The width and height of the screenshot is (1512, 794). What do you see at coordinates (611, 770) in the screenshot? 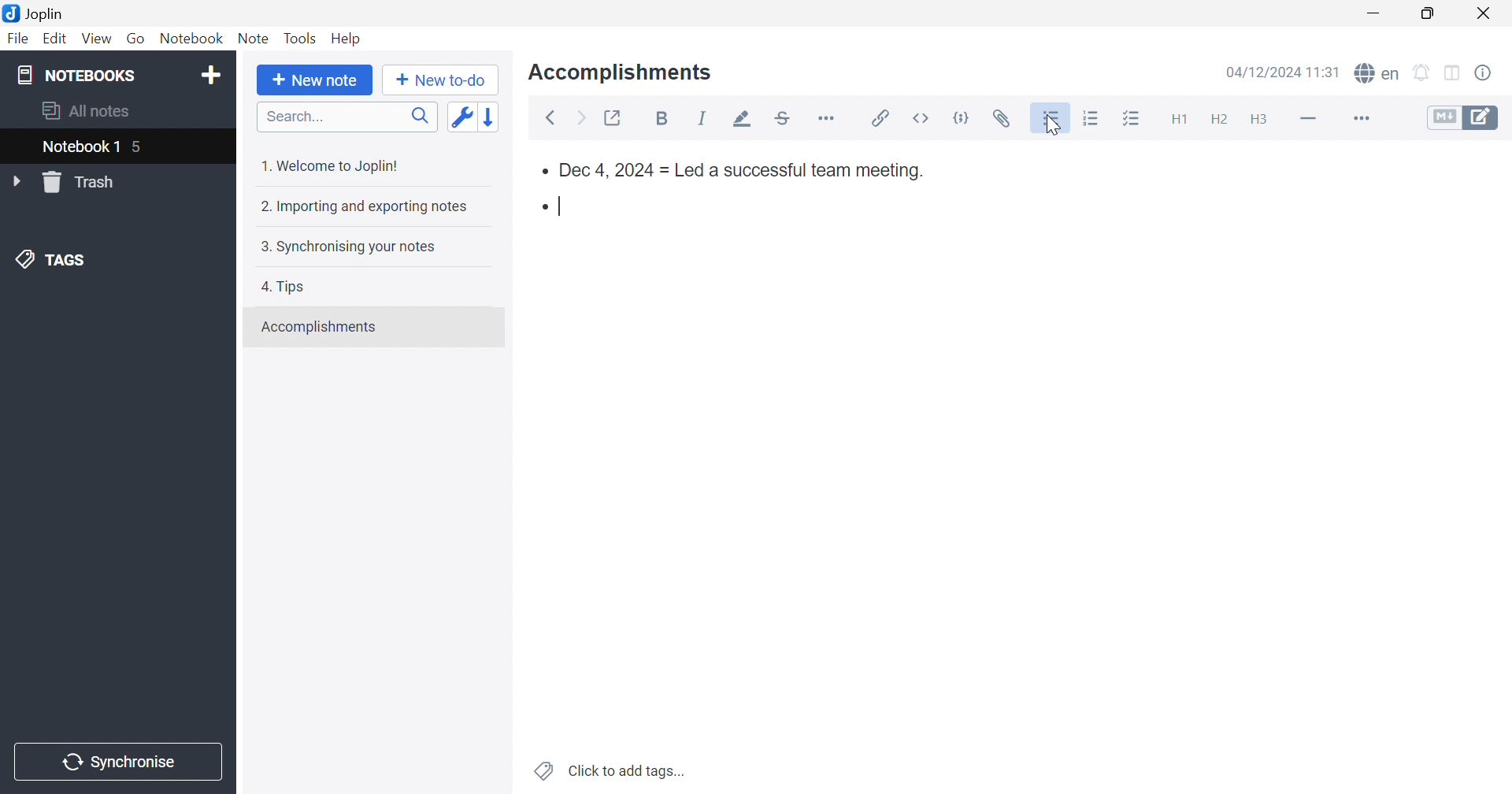
I see `Click to add tags...` at bounding box center [611, 770].